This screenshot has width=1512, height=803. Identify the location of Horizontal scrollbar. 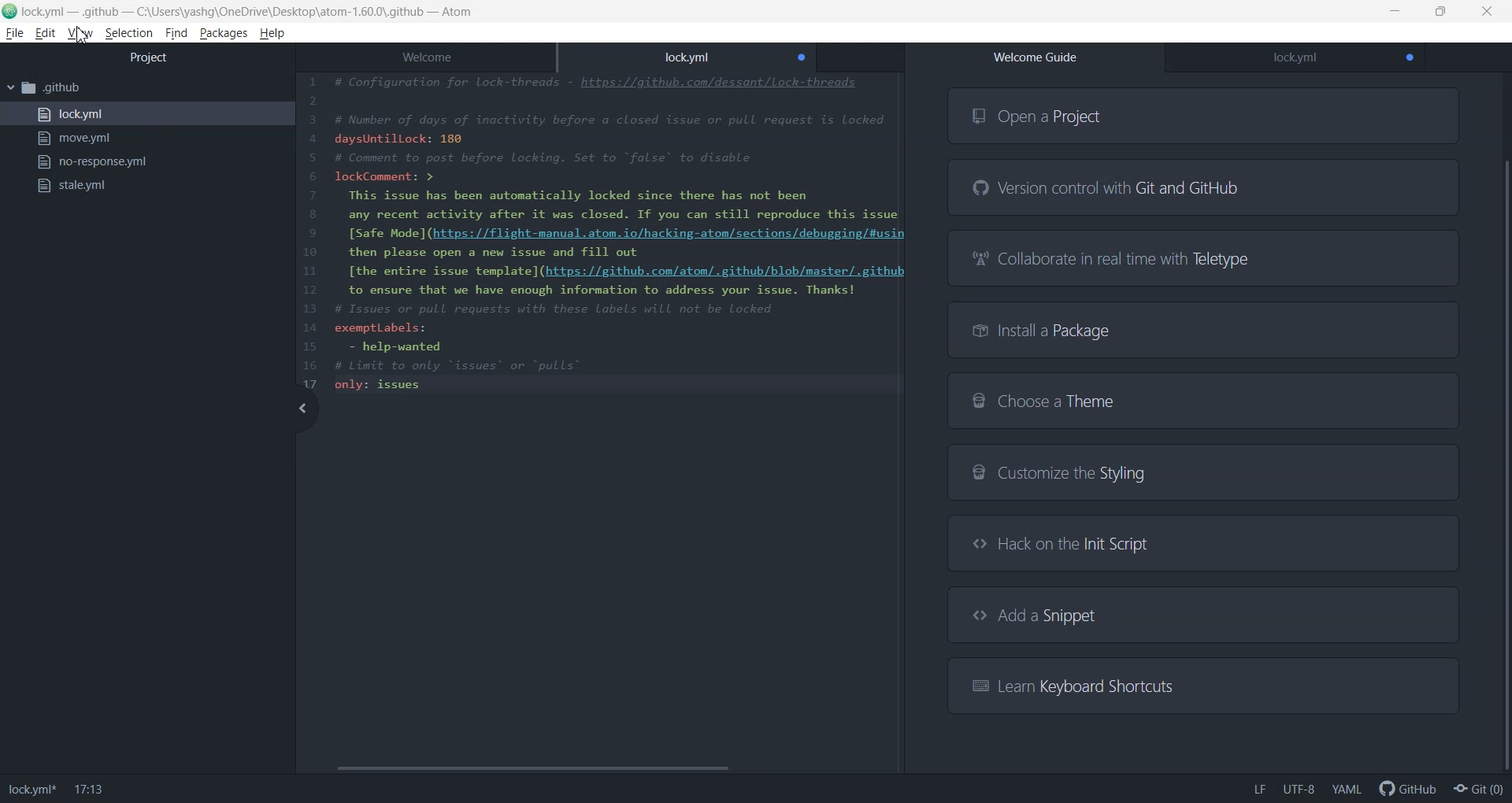
(596, 768).